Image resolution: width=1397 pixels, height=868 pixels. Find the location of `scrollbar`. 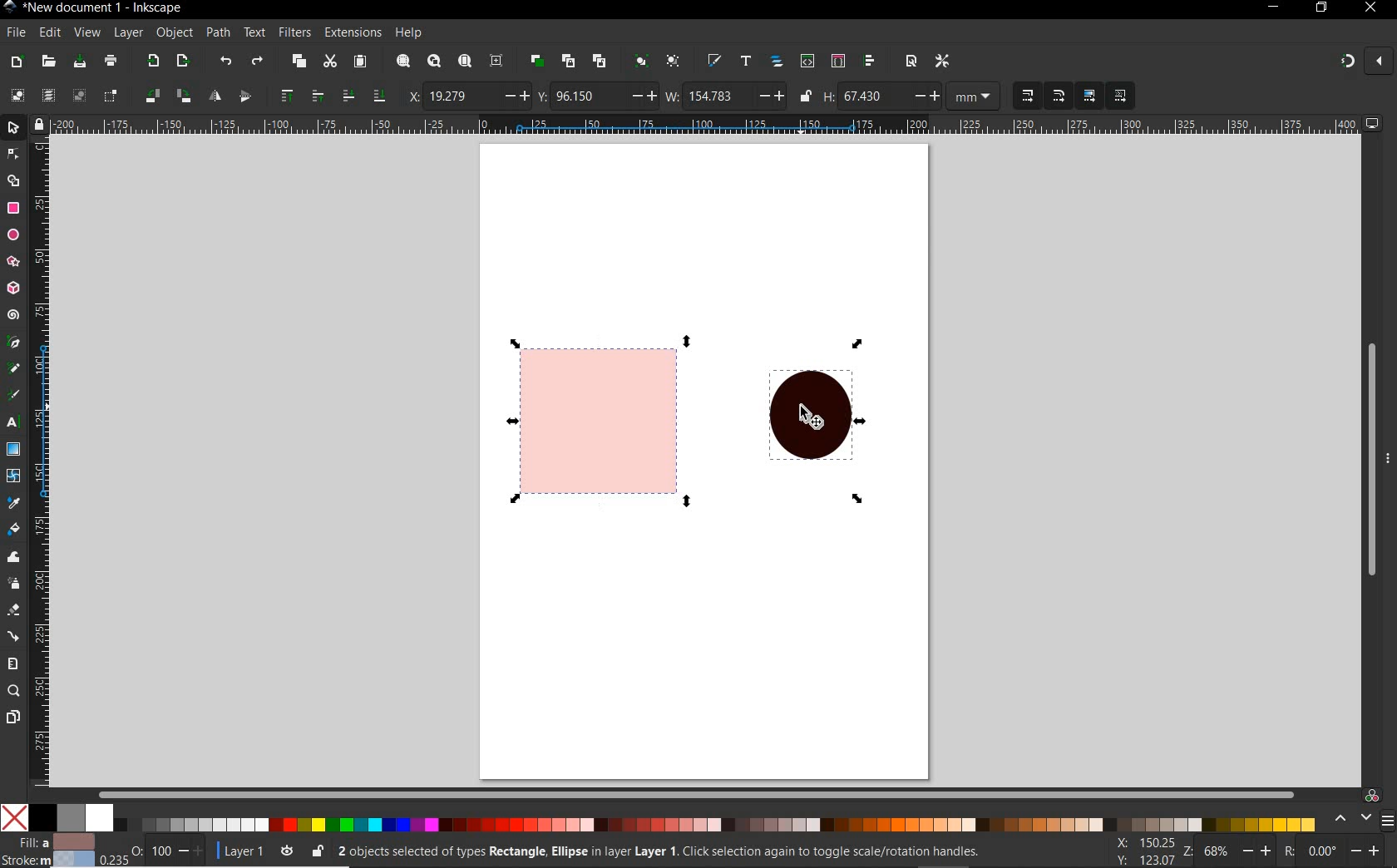

scrollbar is located at coordinates (695, 792).